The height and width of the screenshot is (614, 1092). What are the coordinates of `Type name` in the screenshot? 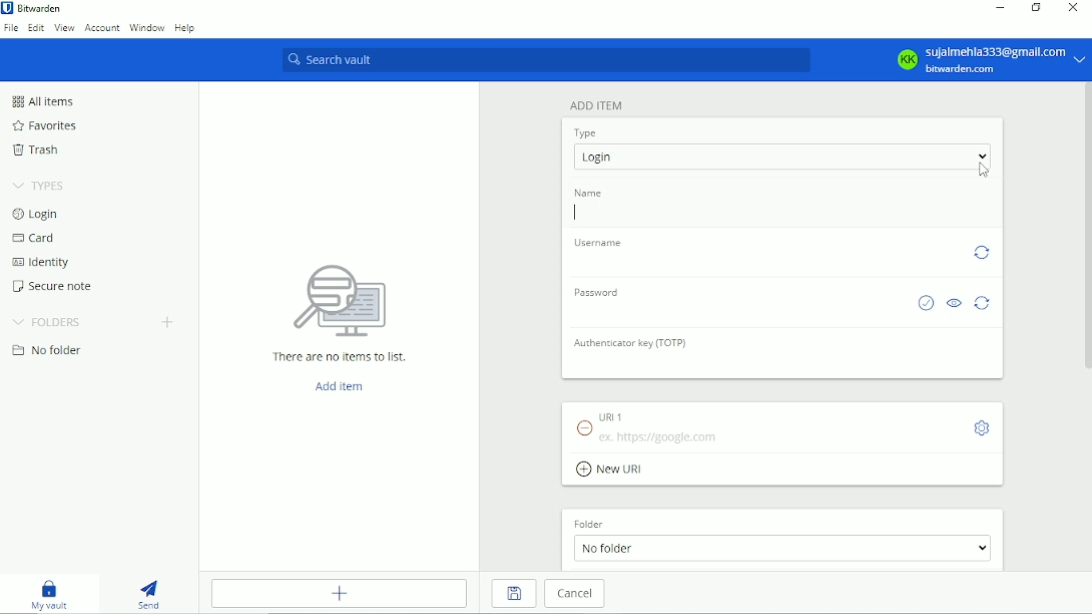 It's located at (686, 213).